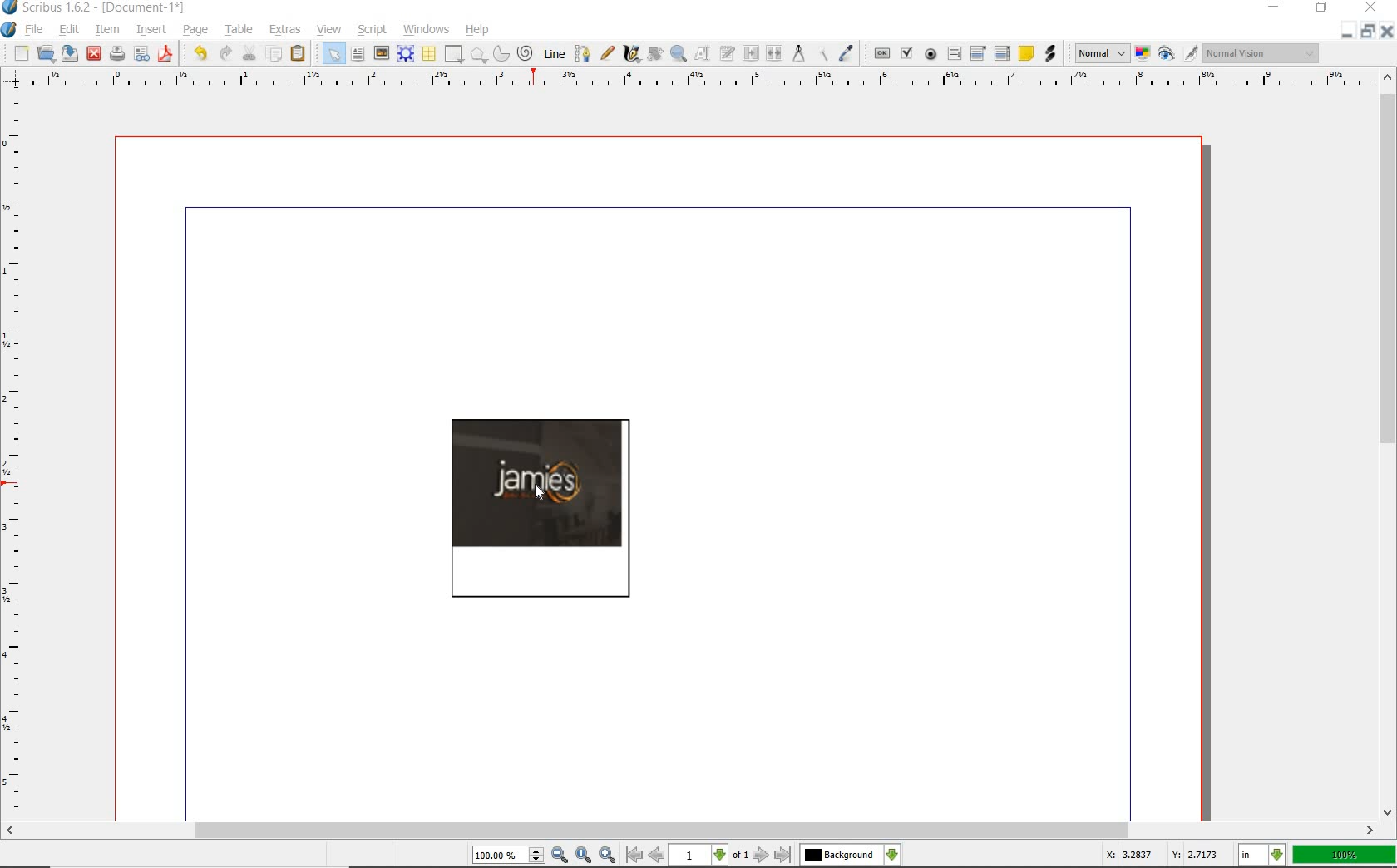  I want to click on rotate item, so click(656, 54).